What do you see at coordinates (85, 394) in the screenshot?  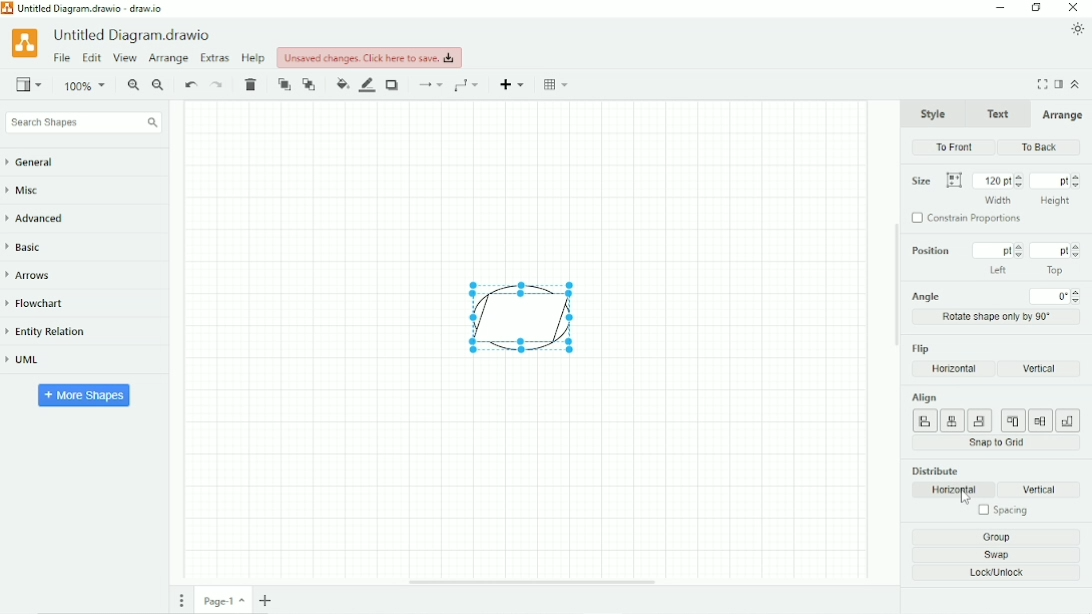 I see `More shapes` at bounding box center [85, 394].